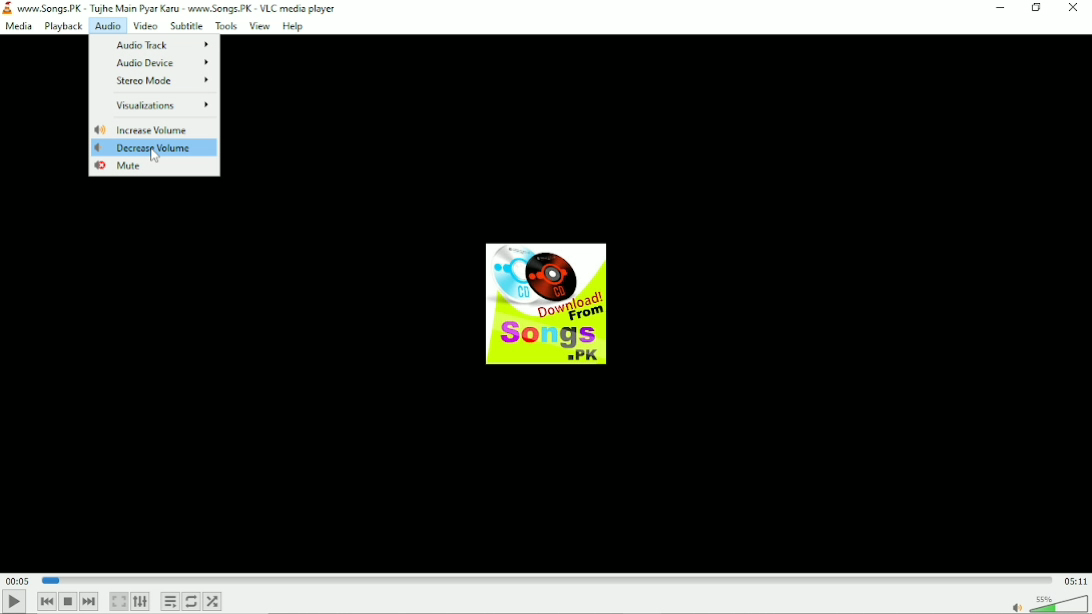  I want to click on Media, so click(19, 27).